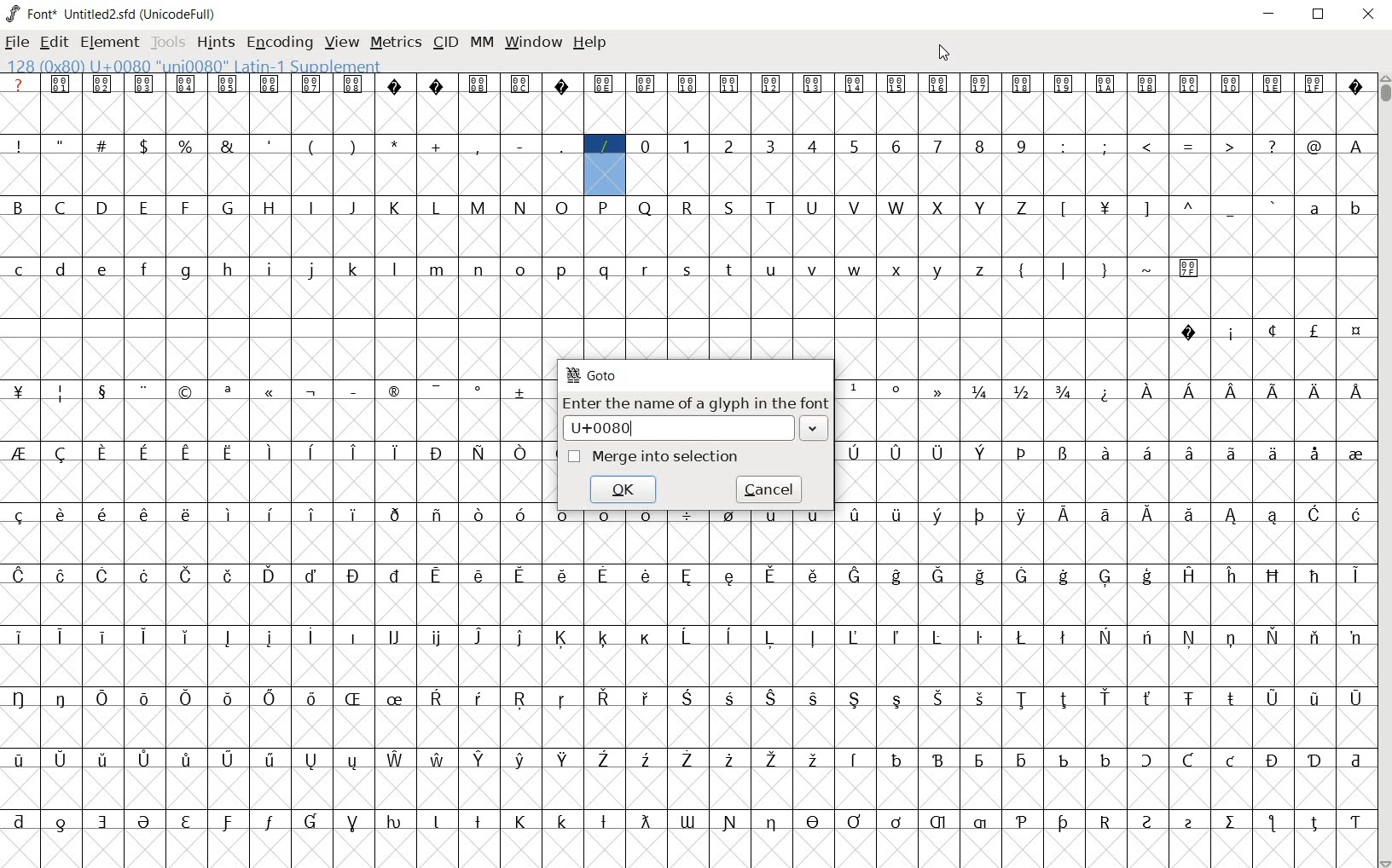 The height and width of the screenshot is (868, 1392). What do you see at coordinates (18, 576) in the screenshot?
I see `glyph` at bounding box center [18, 576].